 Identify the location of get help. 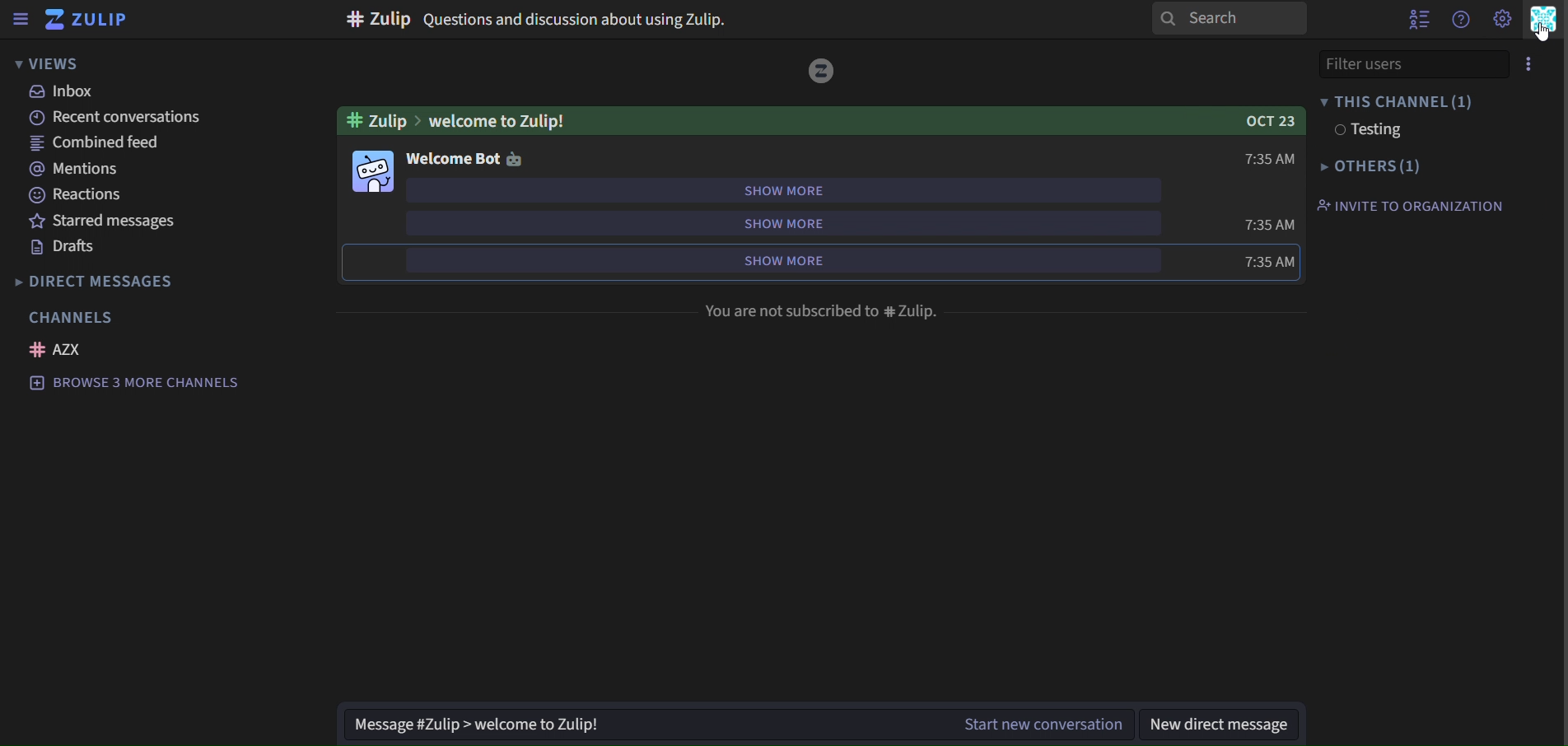
(1461, 21).